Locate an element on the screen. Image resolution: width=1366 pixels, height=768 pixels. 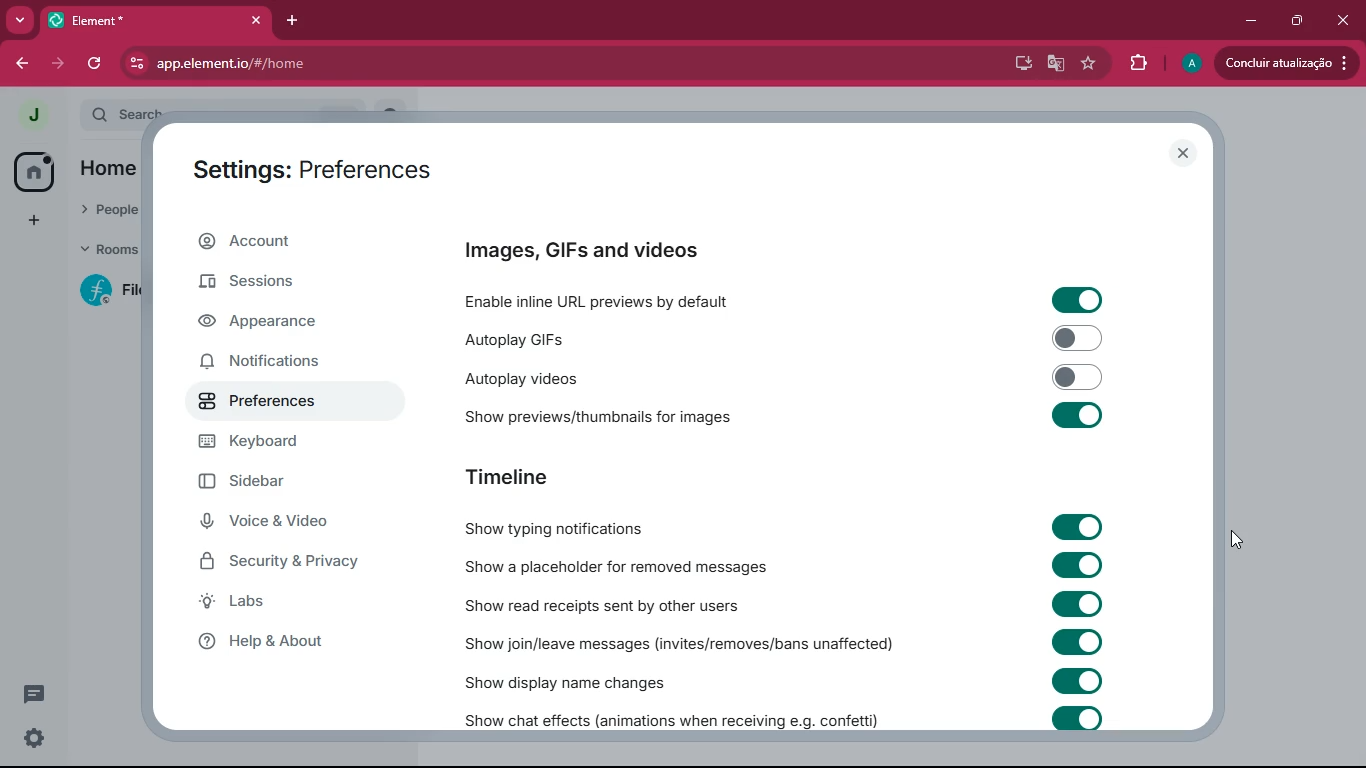
preferences is located at coordinates (261, 401).